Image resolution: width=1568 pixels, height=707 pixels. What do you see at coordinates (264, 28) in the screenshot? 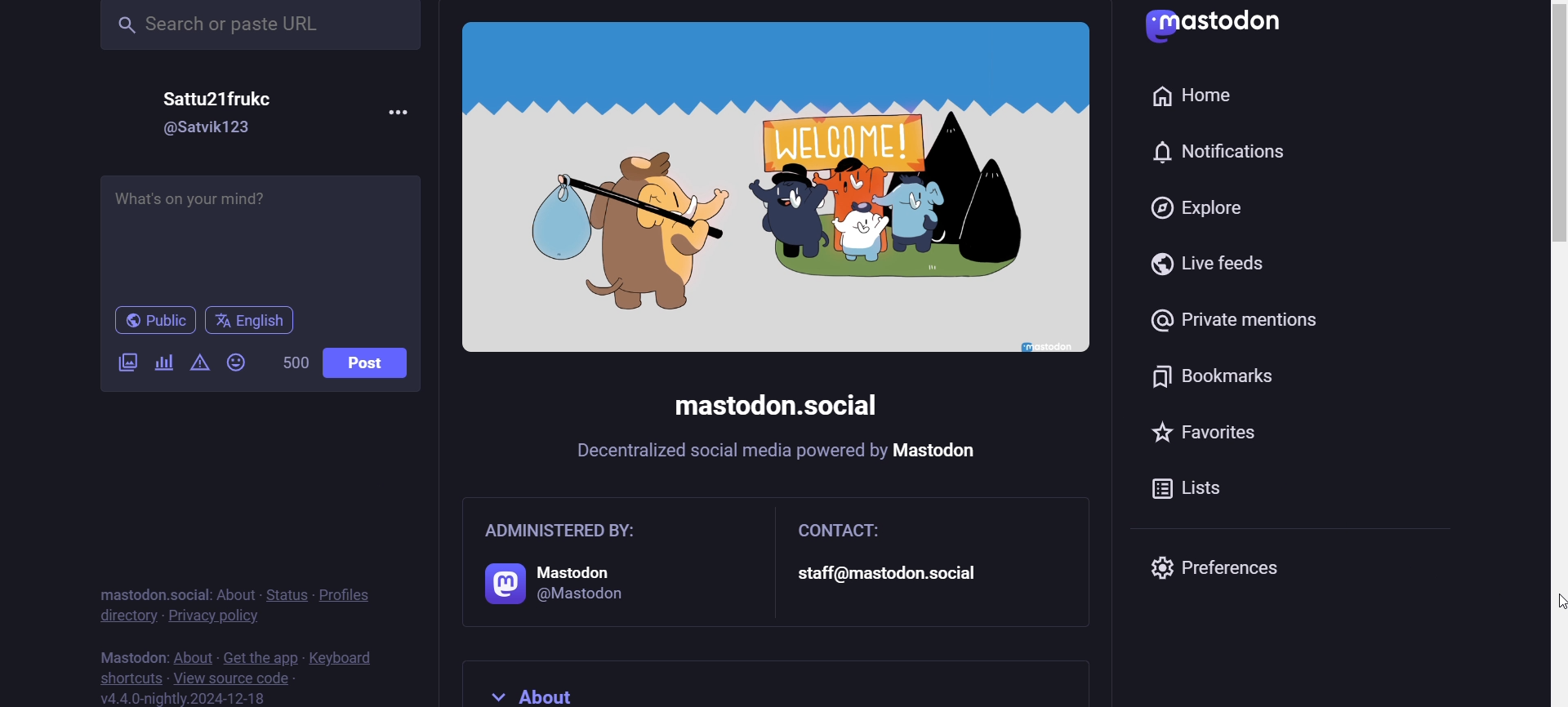
I see `search` at bounding box center [264, 28].